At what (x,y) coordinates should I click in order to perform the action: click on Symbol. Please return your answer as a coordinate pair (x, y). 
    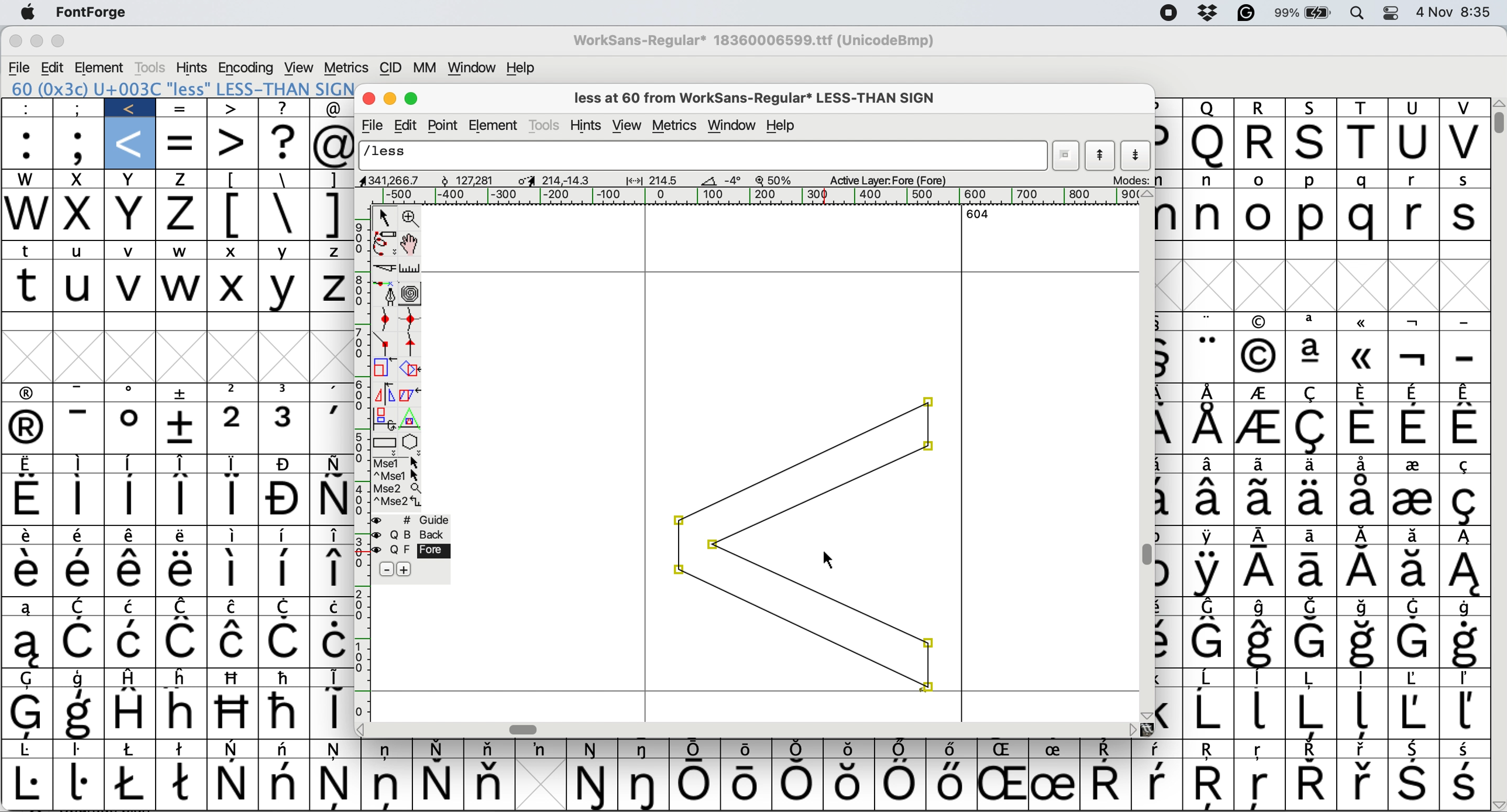
    Looking at the image, I should click on (951, 784).